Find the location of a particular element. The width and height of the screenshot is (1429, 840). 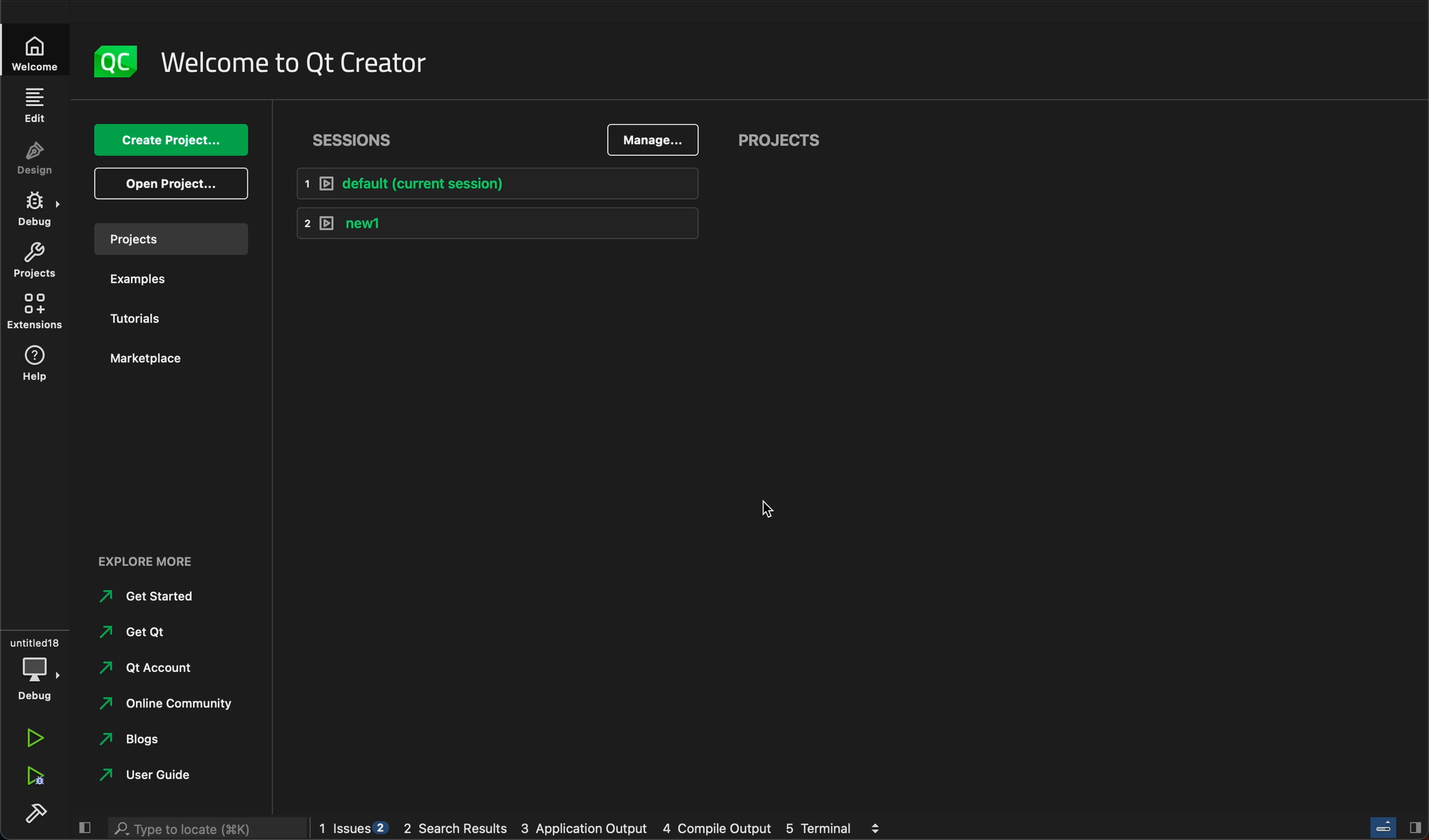

build is located at coordinates (32, 813).